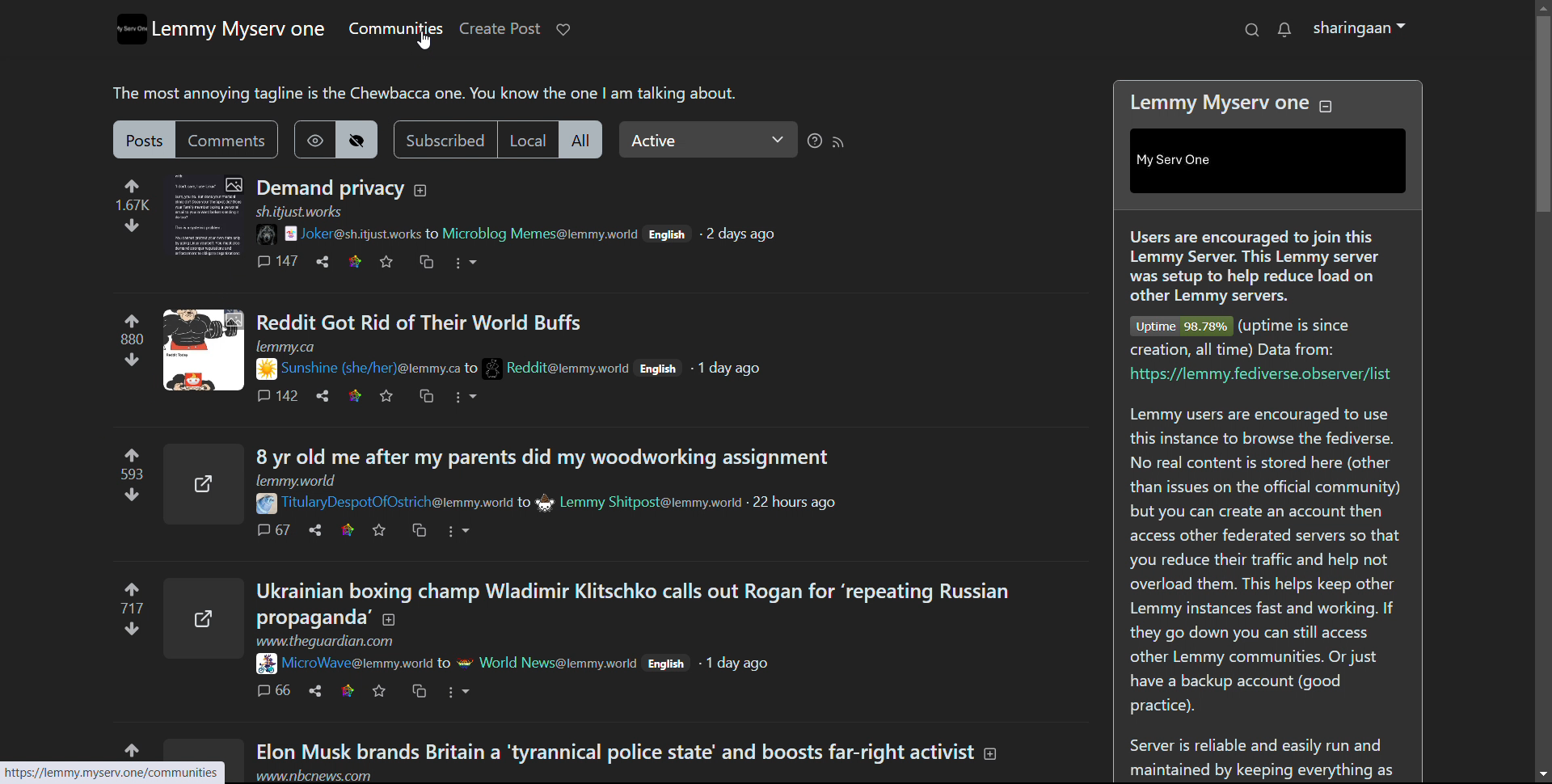 This screenshot has height=784, width=1552. What do you see at coordinates (355, 397) in the screenshot?
I see `link` at bounding box center [355, 397].